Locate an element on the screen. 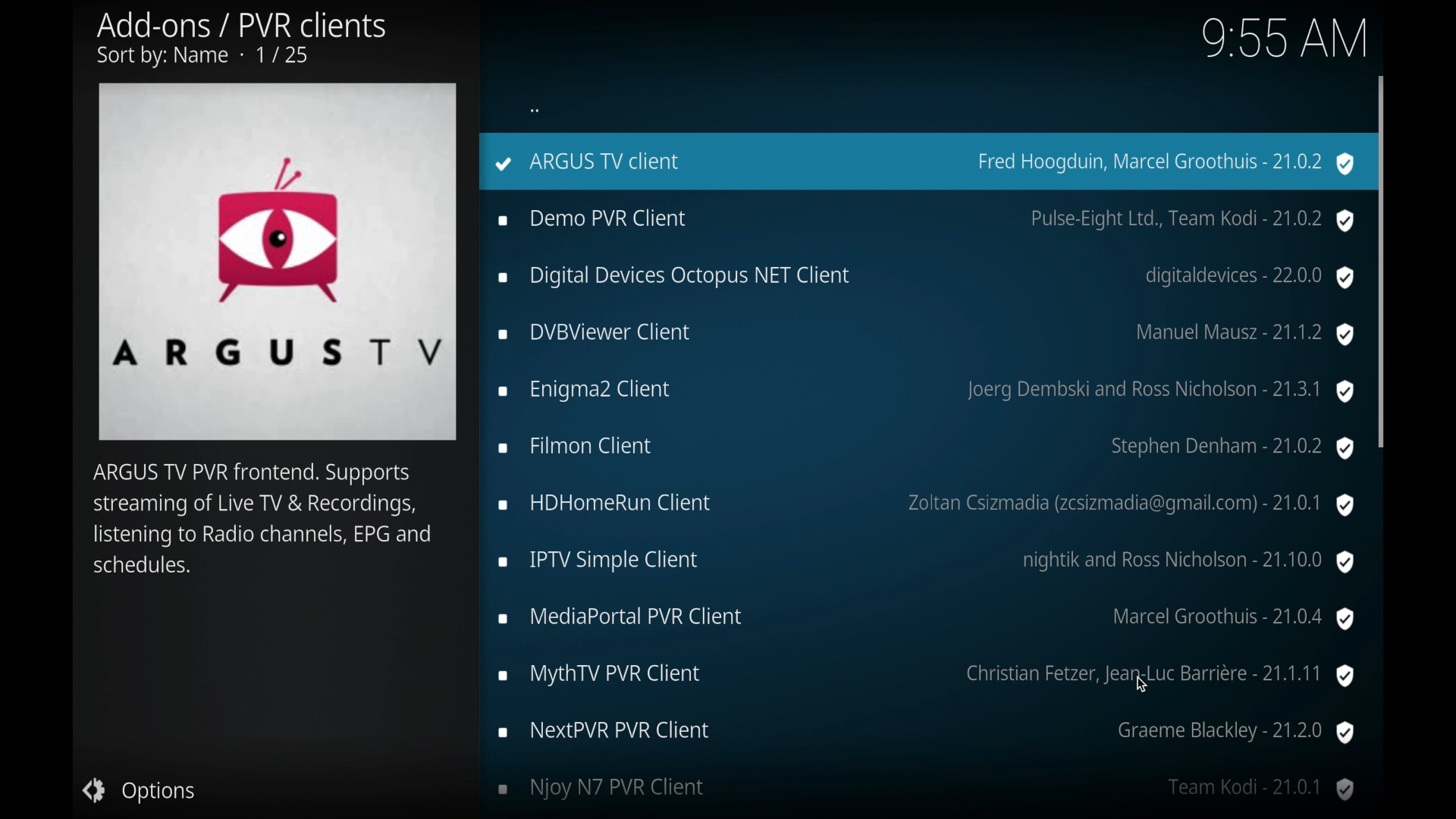  tick mark is located at coordinates (504, 164).